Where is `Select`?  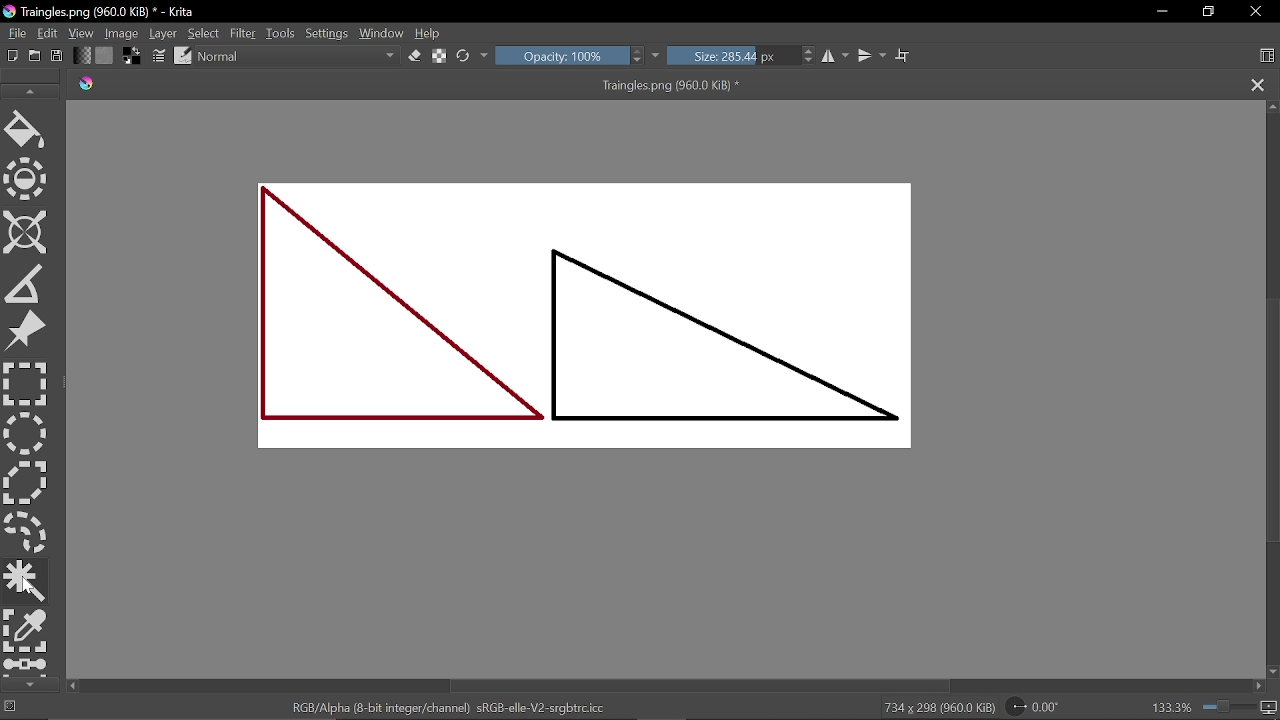 Select is located at coordinates (205, 32).